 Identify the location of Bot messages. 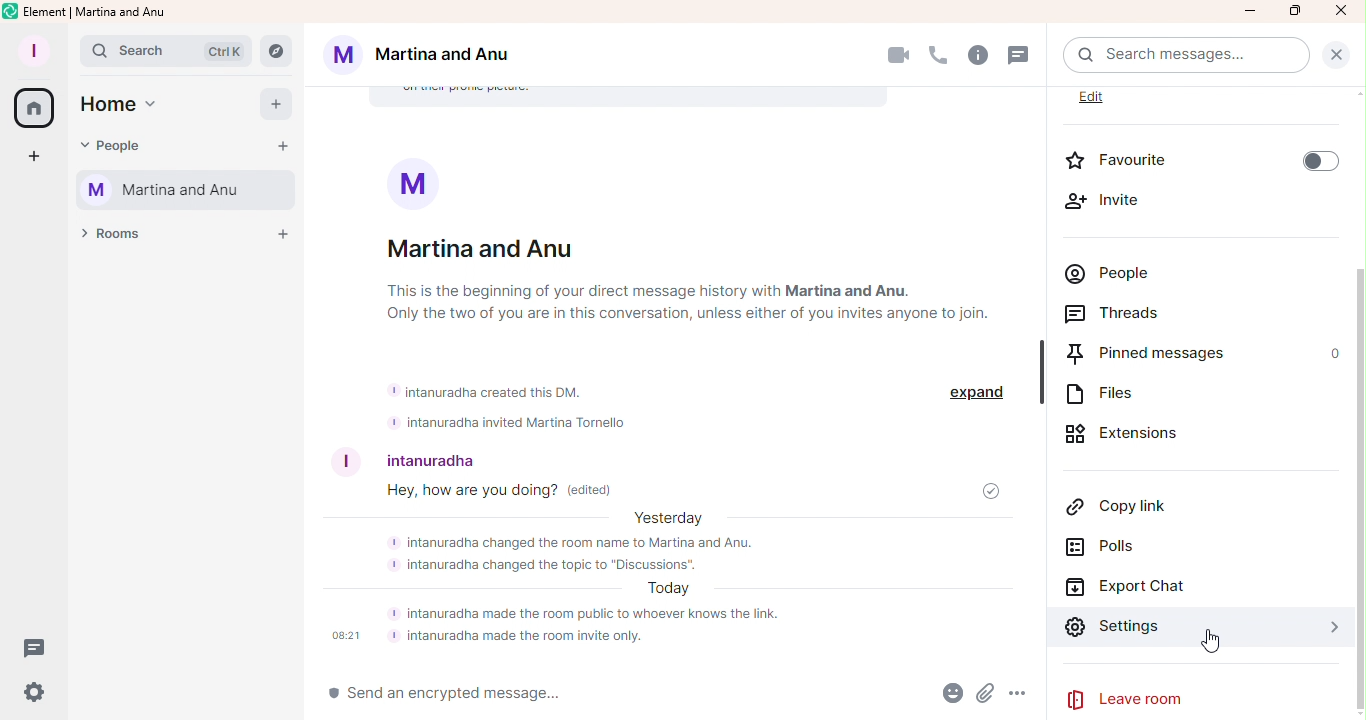
(543, 404).